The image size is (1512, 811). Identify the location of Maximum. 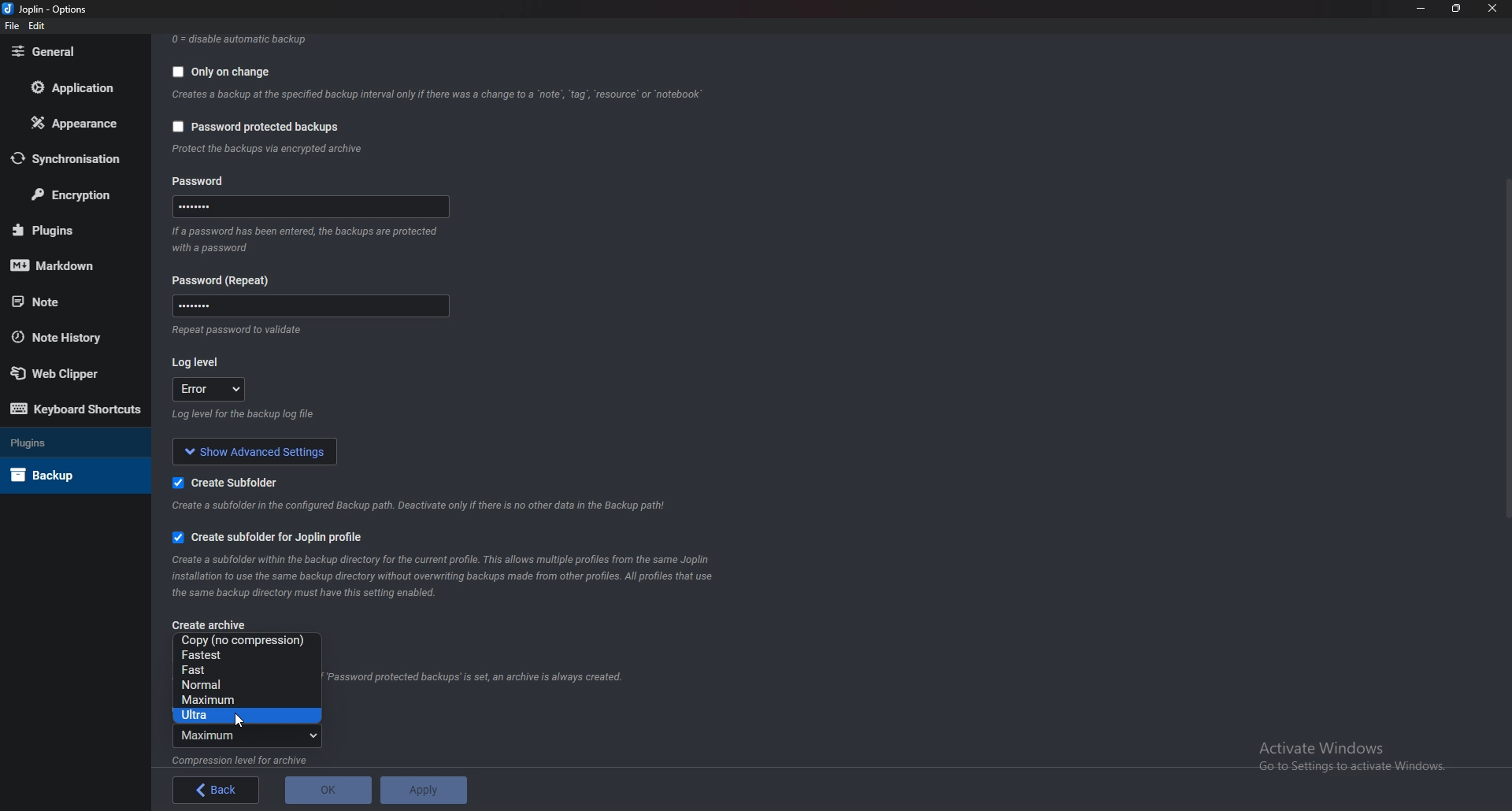
(249, 737).